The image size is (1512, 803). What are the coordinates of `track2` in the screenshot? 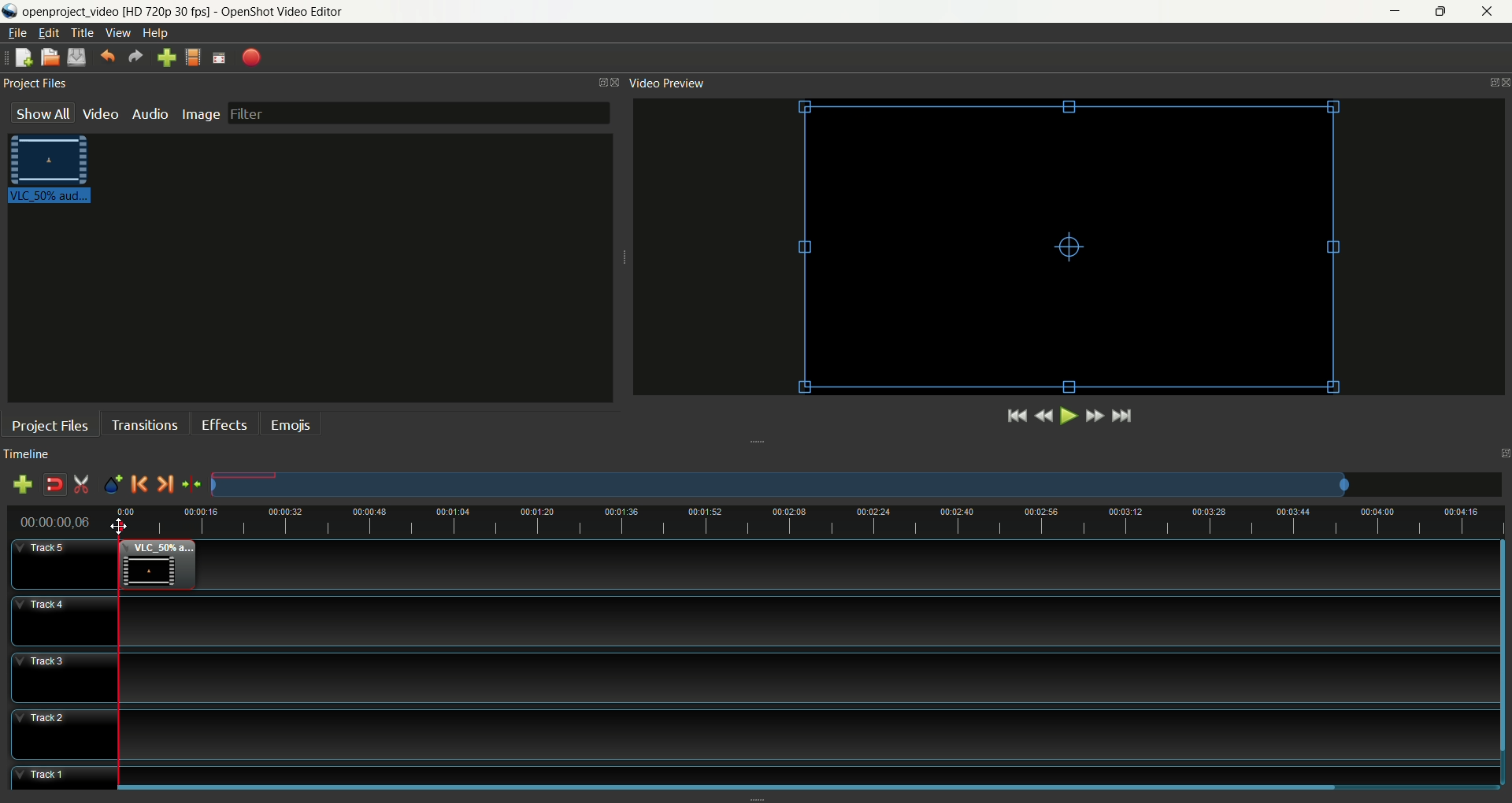 It's located at (65, 735).